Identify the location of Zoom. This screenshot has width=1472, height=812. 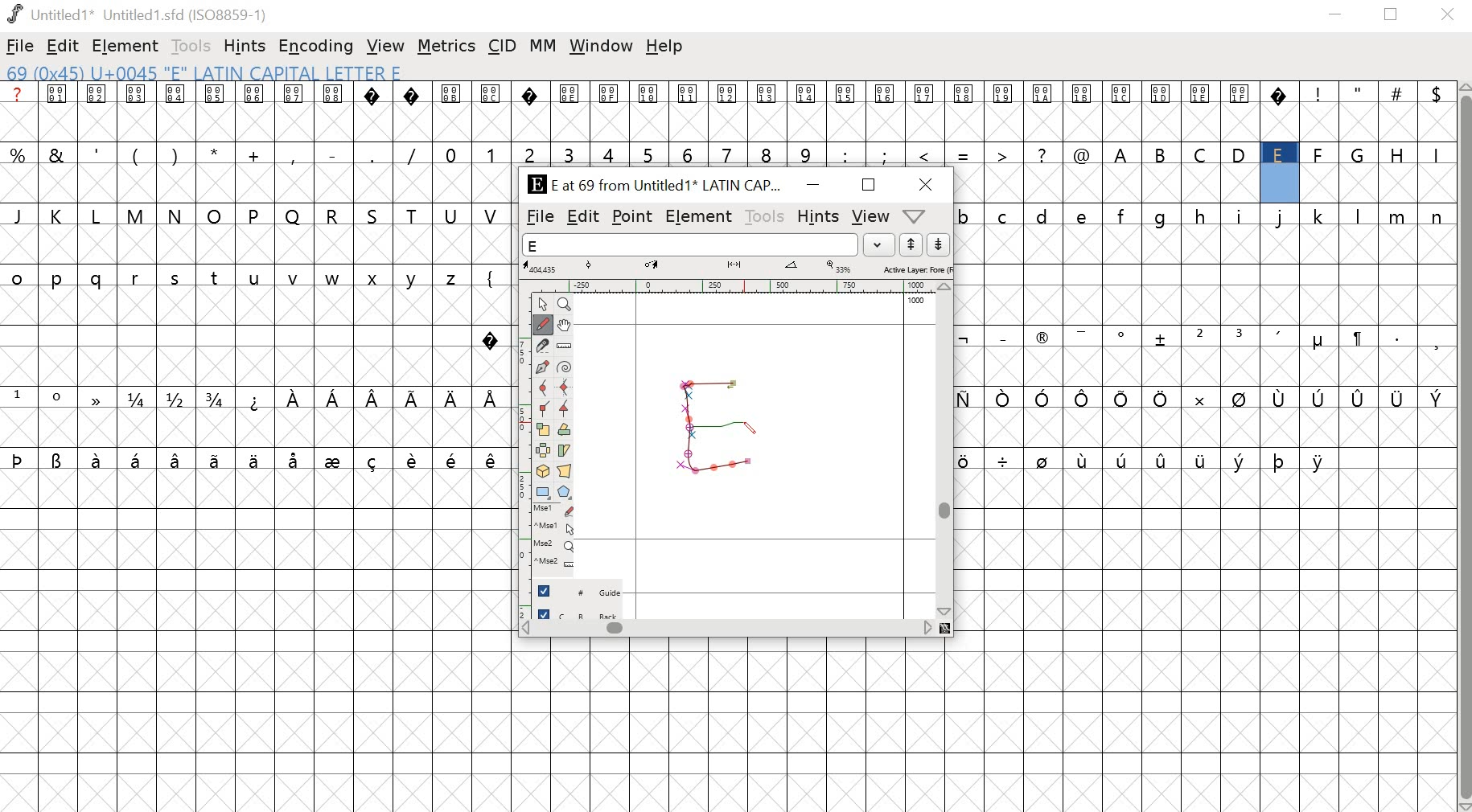
(564, 305).